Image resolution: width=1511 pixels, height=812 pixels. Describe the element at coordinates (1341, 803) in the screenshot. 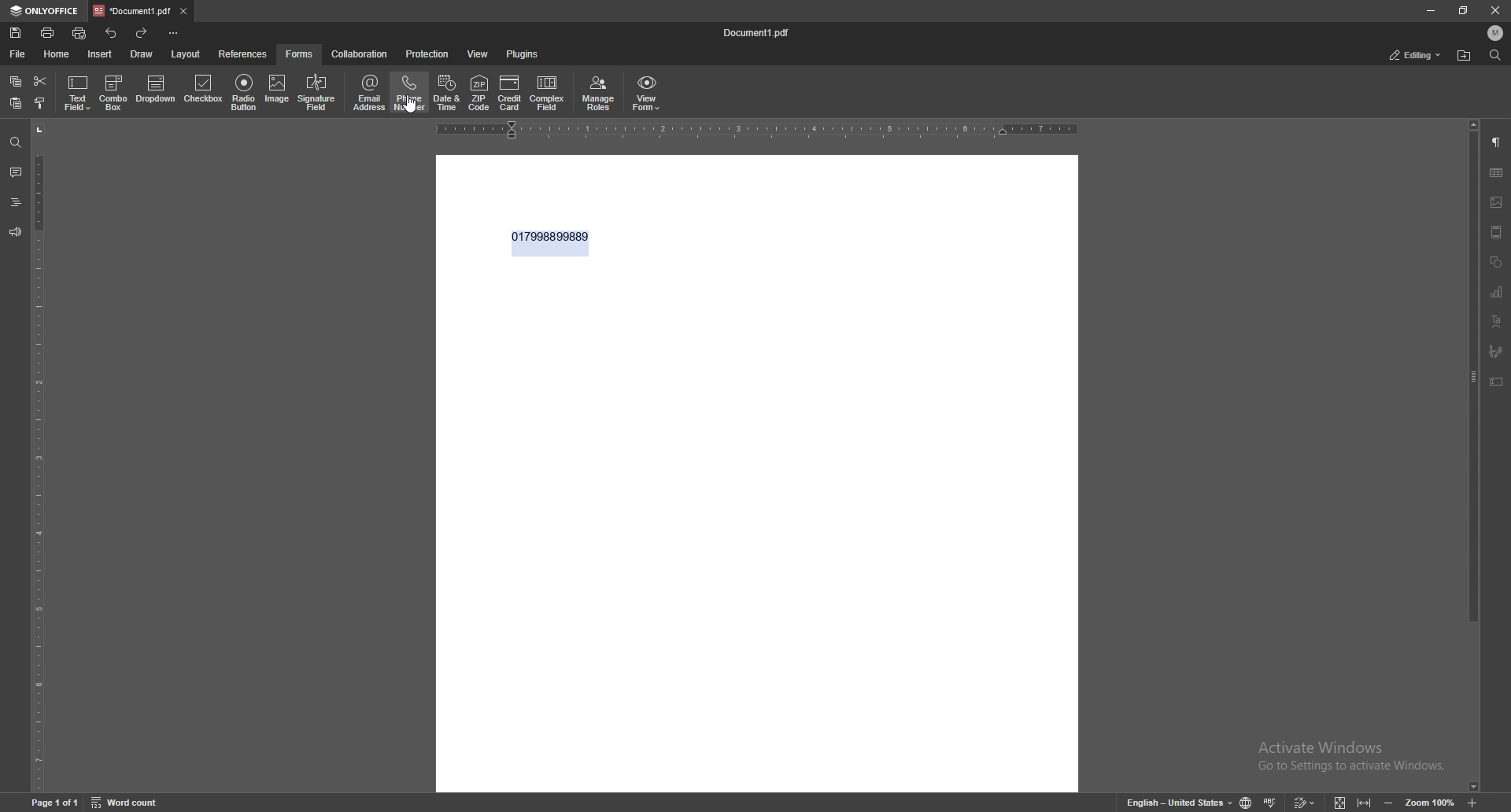

I see `fit to screen` at that location.